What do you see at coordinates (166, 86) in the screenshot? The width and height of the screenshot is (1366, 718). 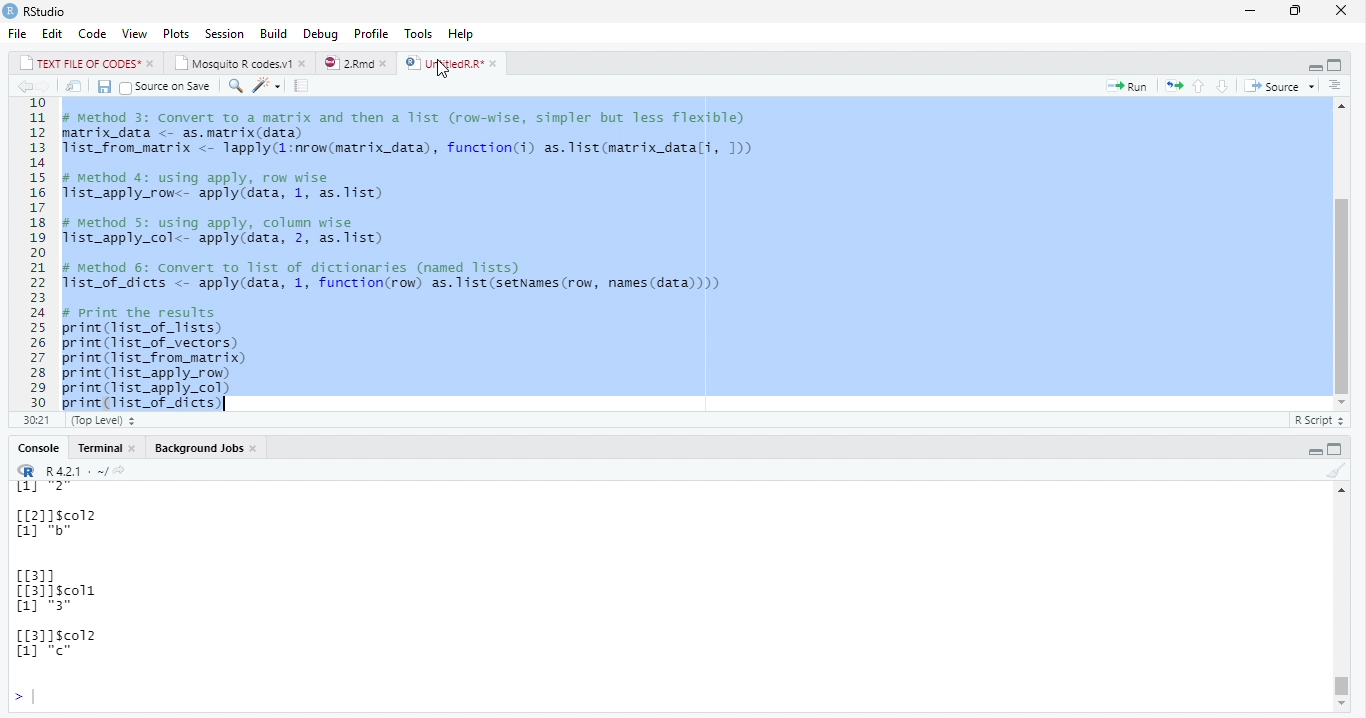 I see `source on save` at bounding box center [166, 86].